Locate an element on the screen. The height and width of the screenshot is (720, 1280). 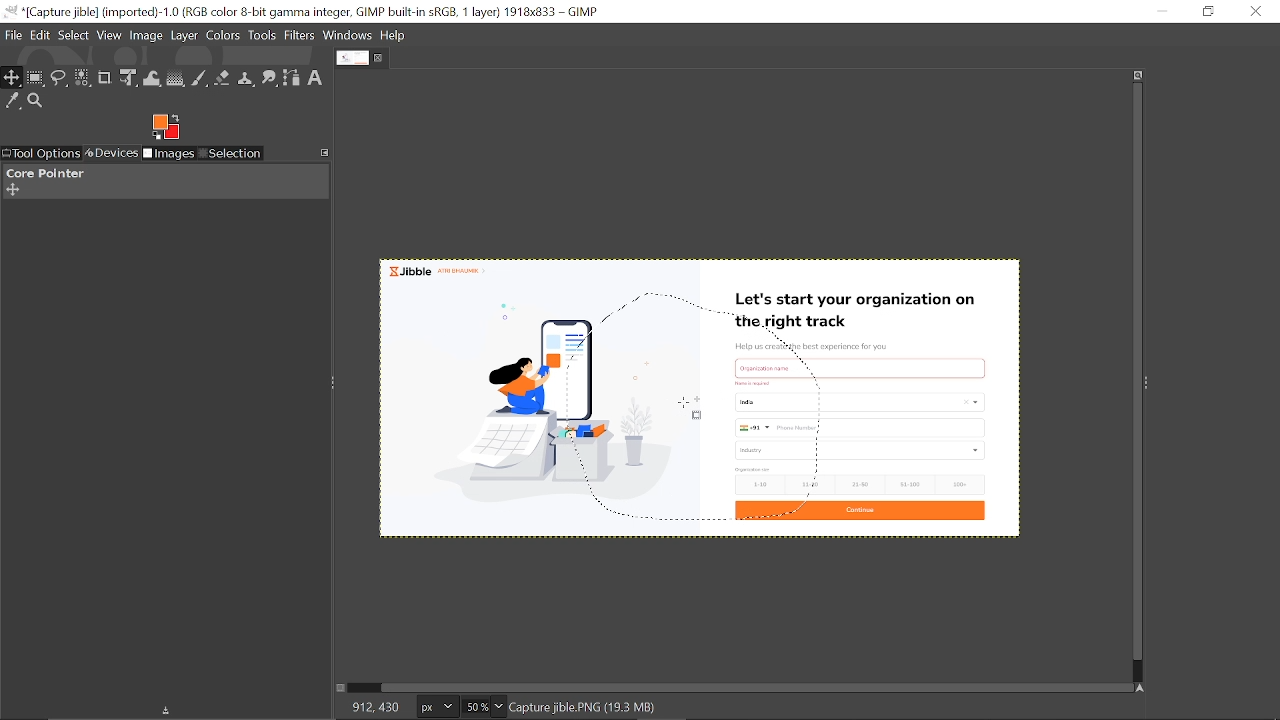
Restore down is located at coordinates (1210, 11).